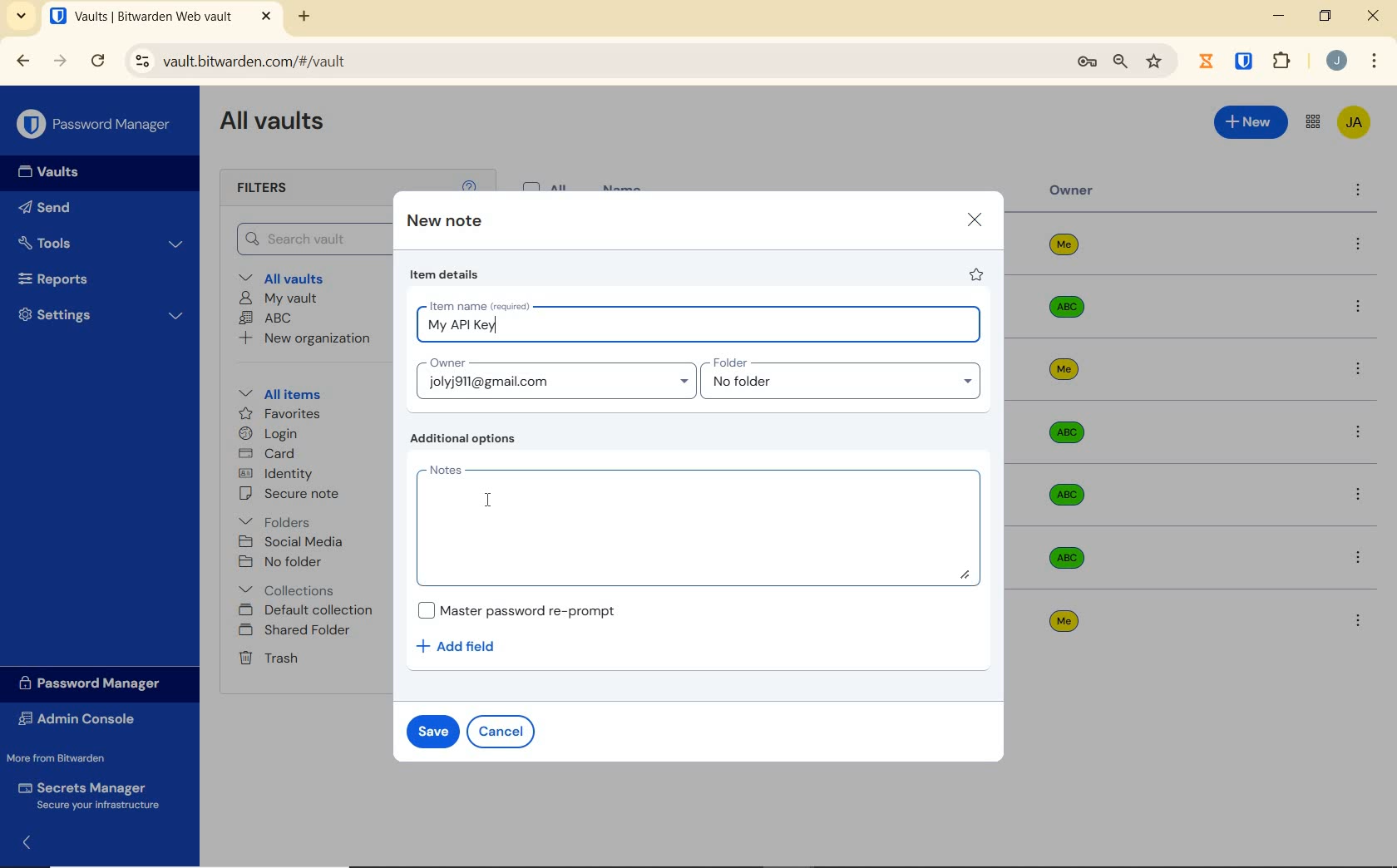 The width and height of the screenshot is (1397, 868). Describe the element at coordinates (96, 123) in the screenshot. I see `Password Manager` at that location.